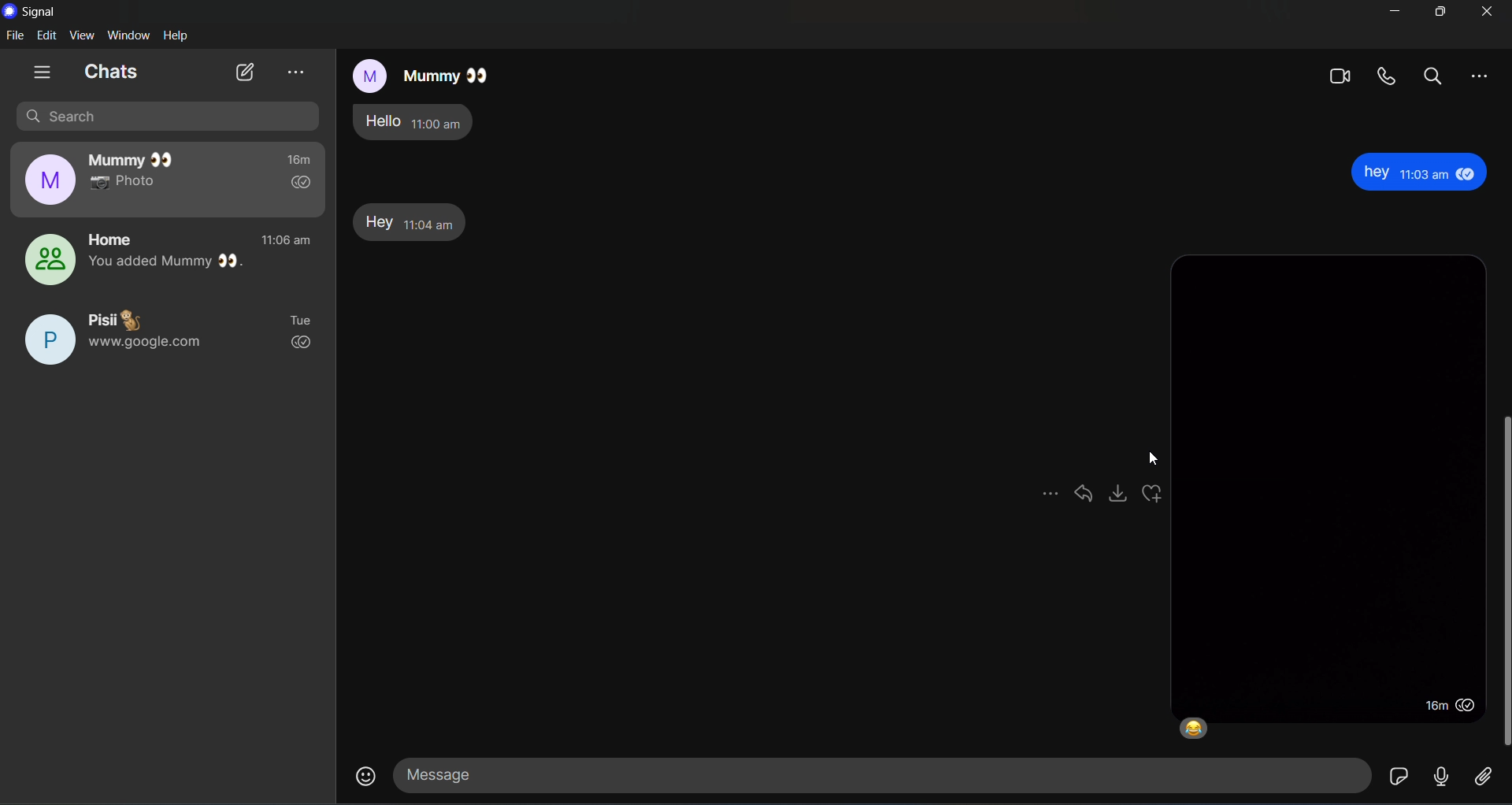  What do you see at coordinates (1482, 779) in the screenshot?
I see `file share` at bounding box center [1482, 779].